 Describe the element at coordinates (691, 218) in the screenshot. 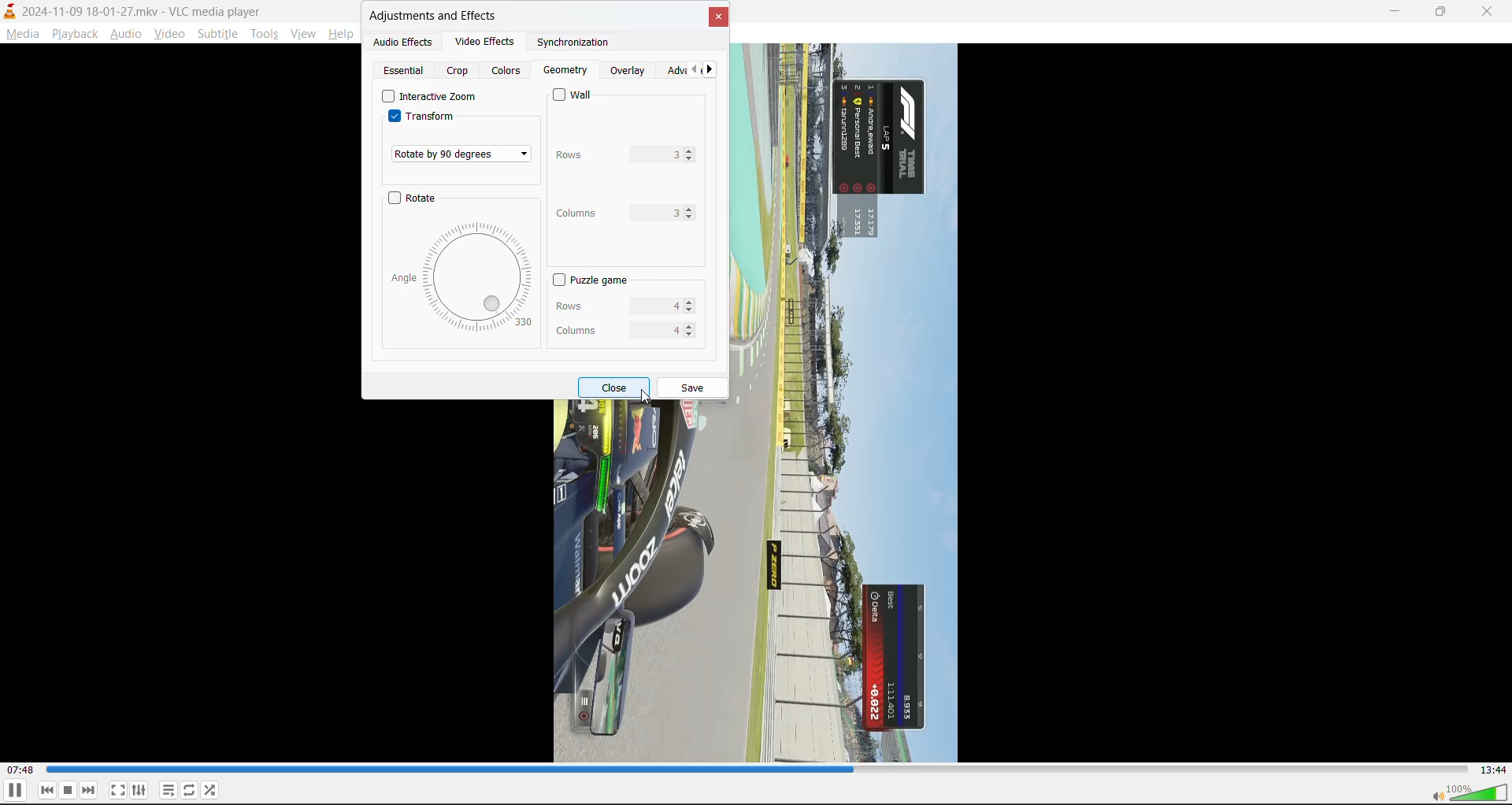

I see `Decrease` at that location.